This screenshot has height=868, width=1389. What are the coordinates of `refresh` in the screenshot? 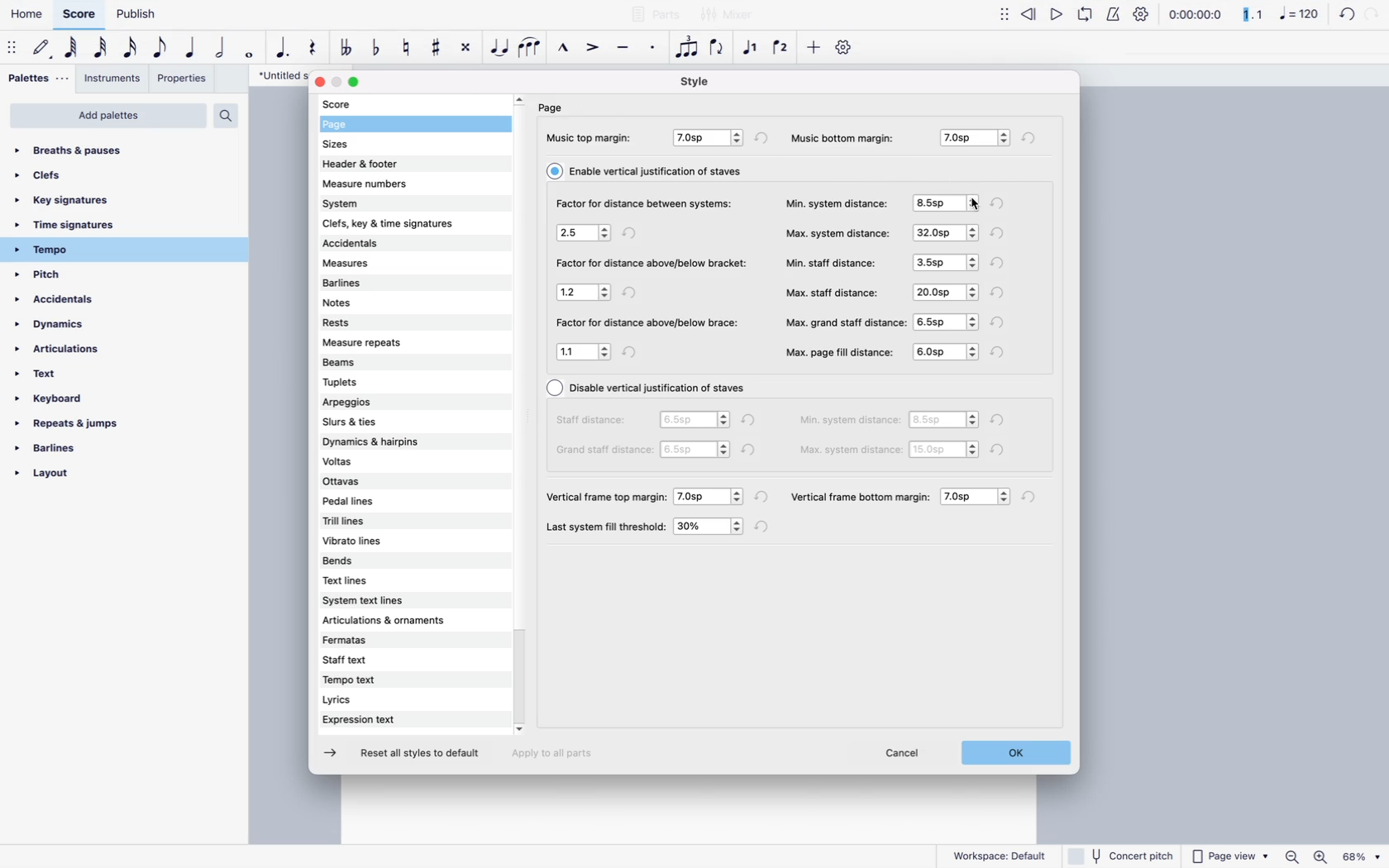 It's located at (750, 419).